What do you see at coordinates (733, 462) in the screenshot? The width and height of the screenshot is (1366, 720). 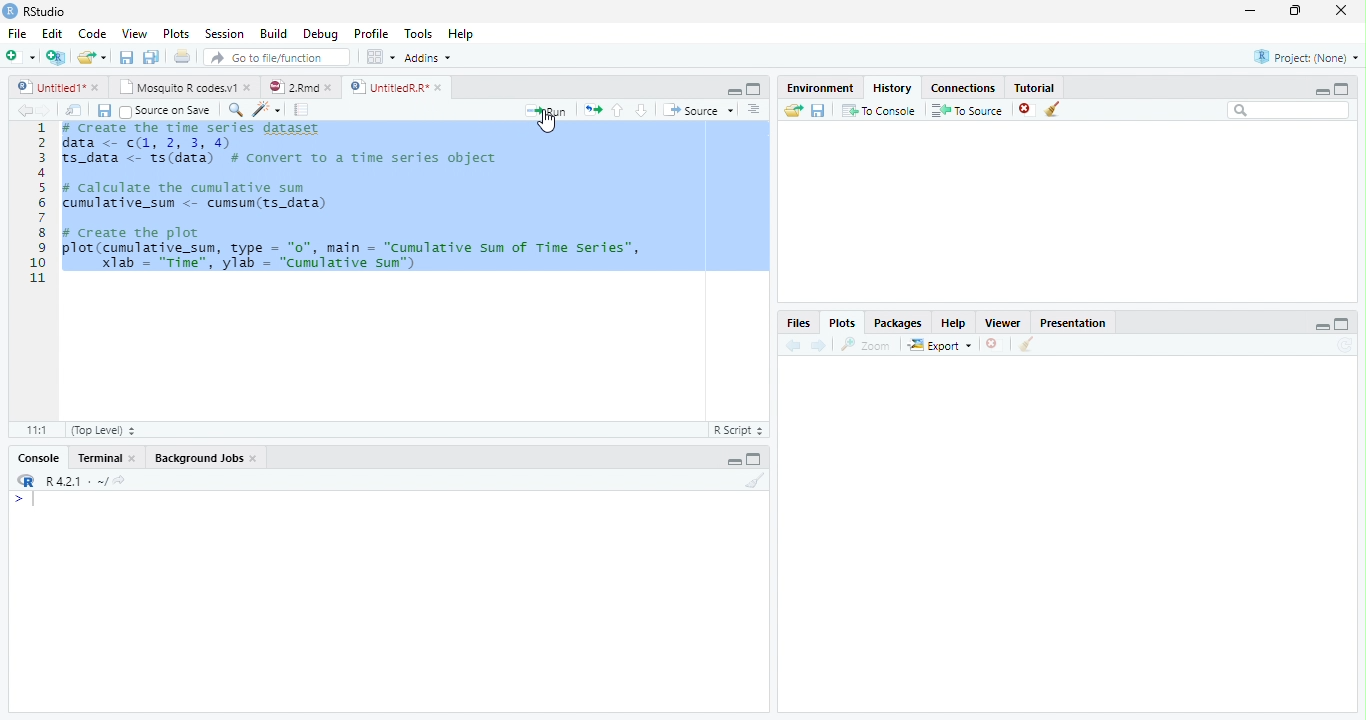 I see `Minimize` at bounding box center [733, 462].